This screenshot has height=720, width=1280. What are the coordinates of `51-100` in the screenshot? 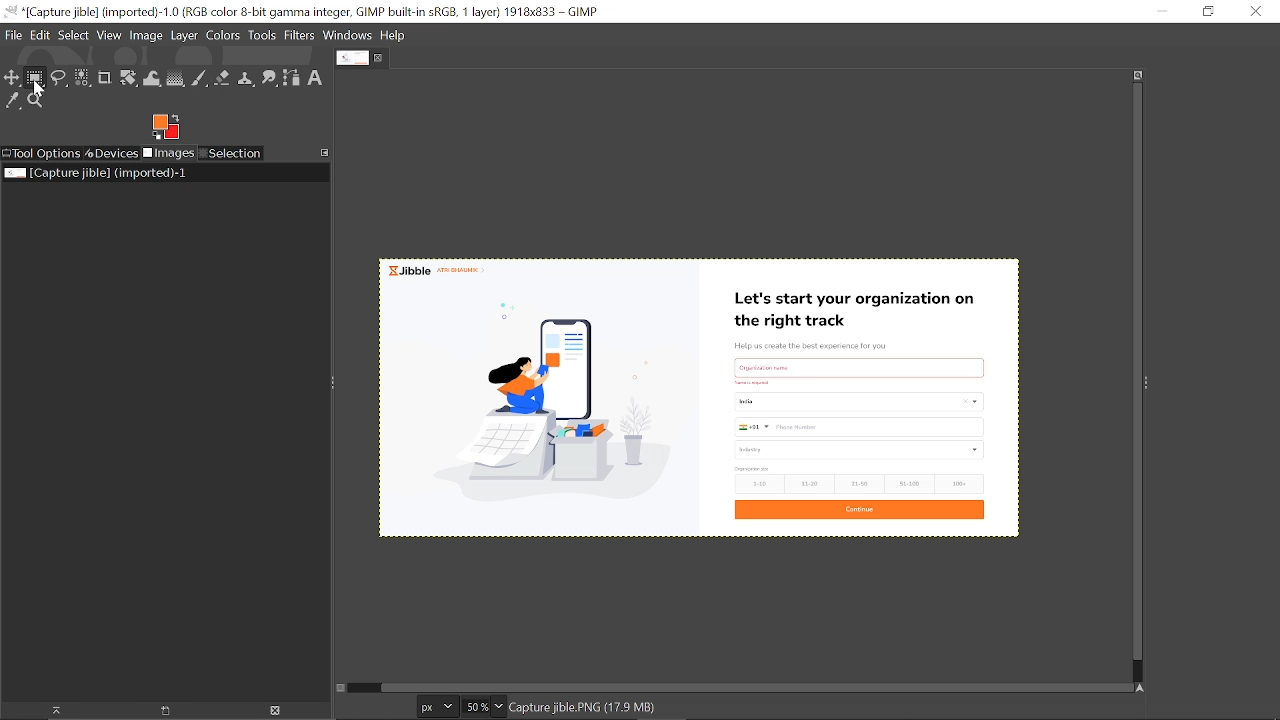 It's located at (907, 483).